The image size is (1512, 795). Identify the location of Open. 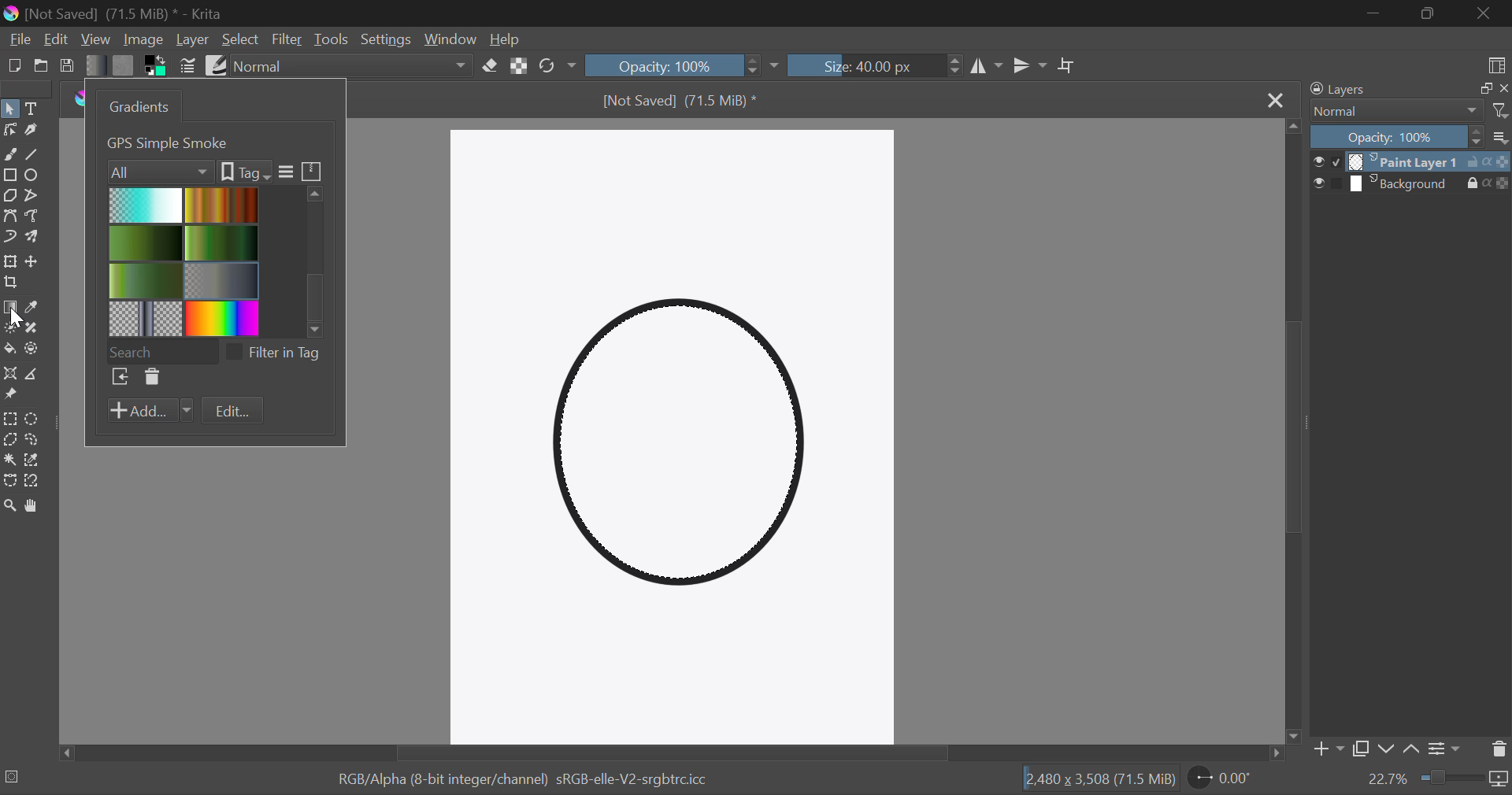
(41, 66).